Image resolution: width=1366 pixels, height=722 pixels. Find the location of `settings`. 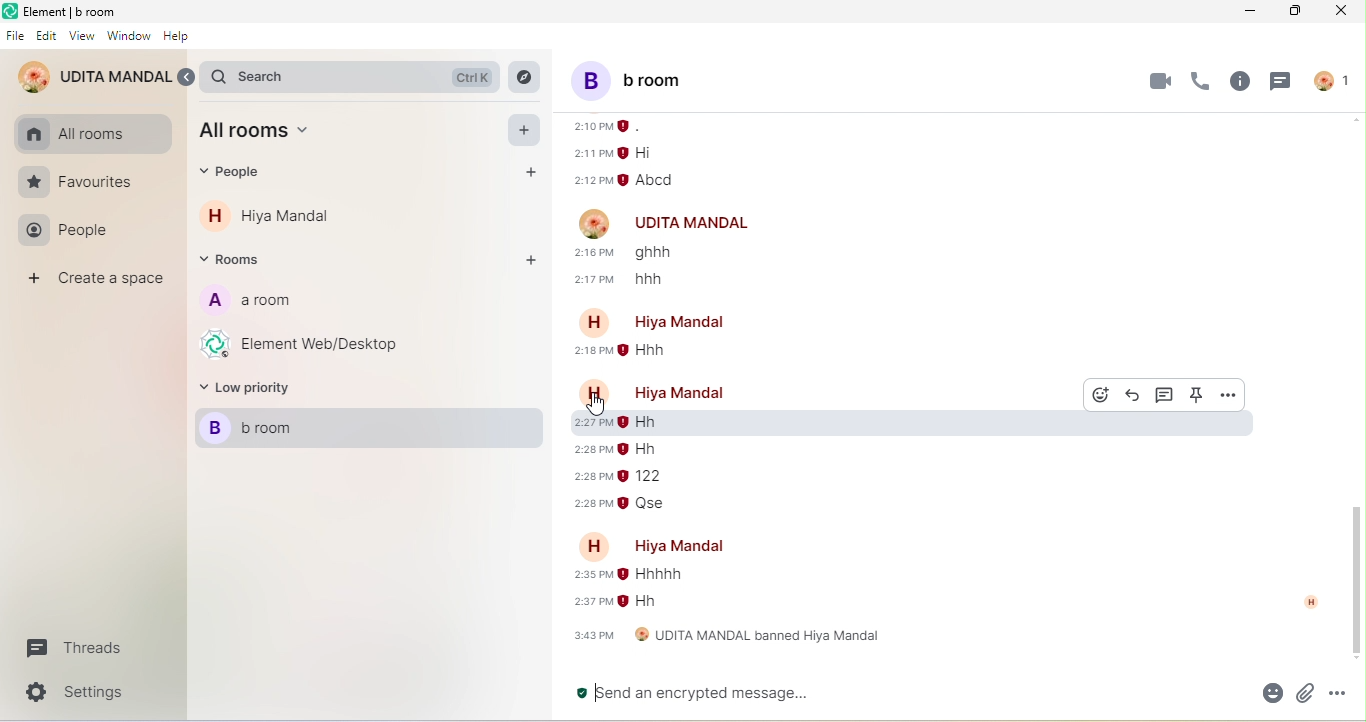

settings is located at coordinates (85, 692).